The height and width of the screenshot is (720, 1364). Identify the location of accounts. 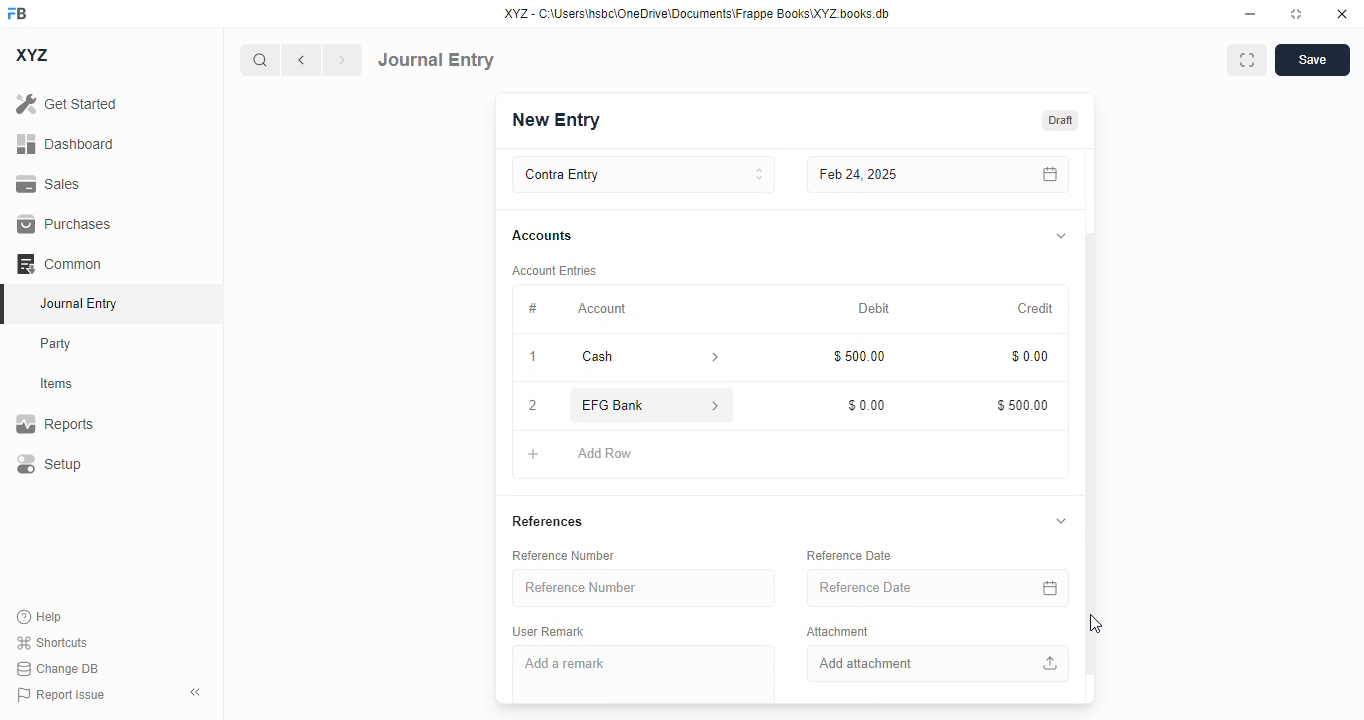
(542, 236).